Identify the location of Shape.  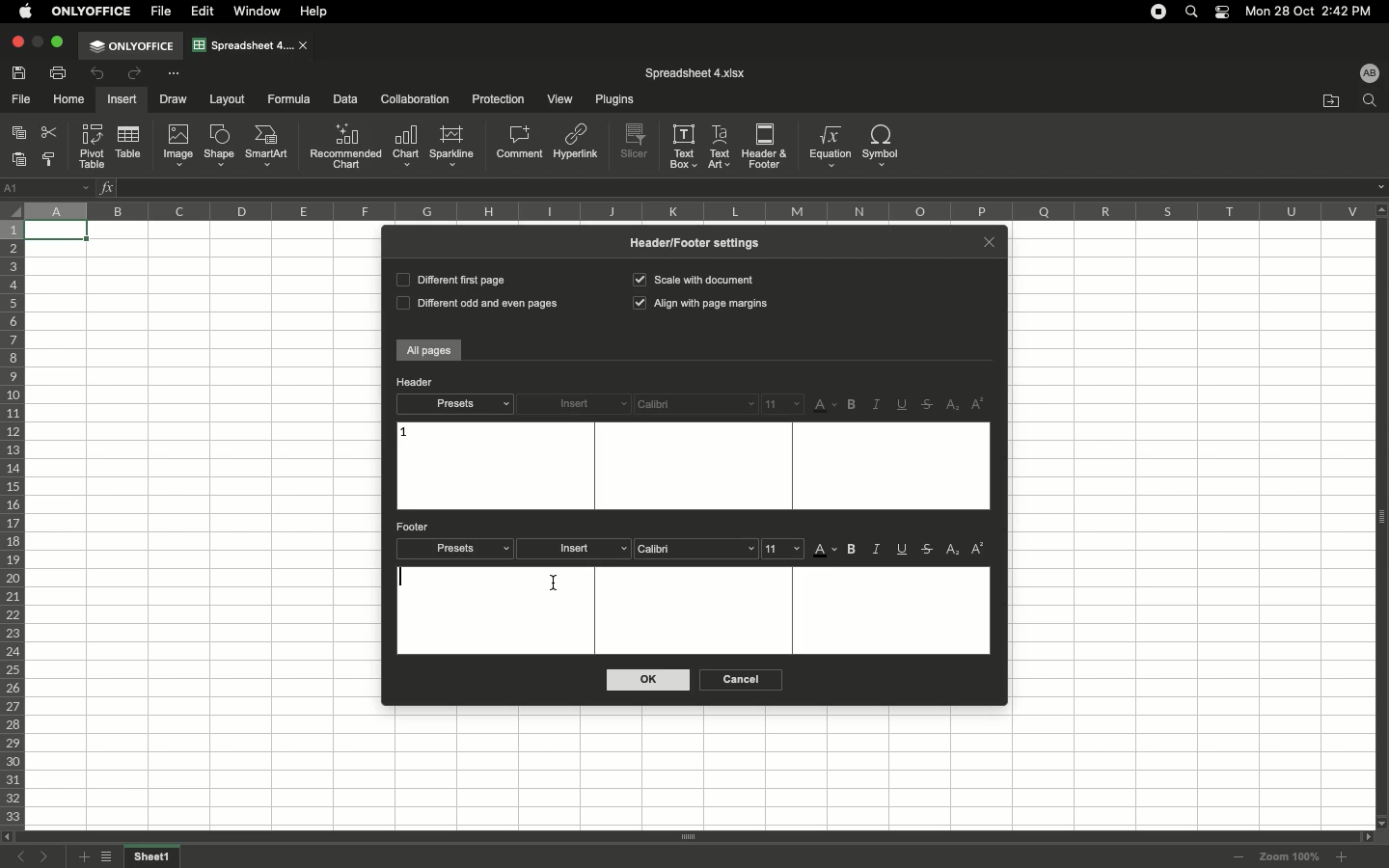
(219, 147).